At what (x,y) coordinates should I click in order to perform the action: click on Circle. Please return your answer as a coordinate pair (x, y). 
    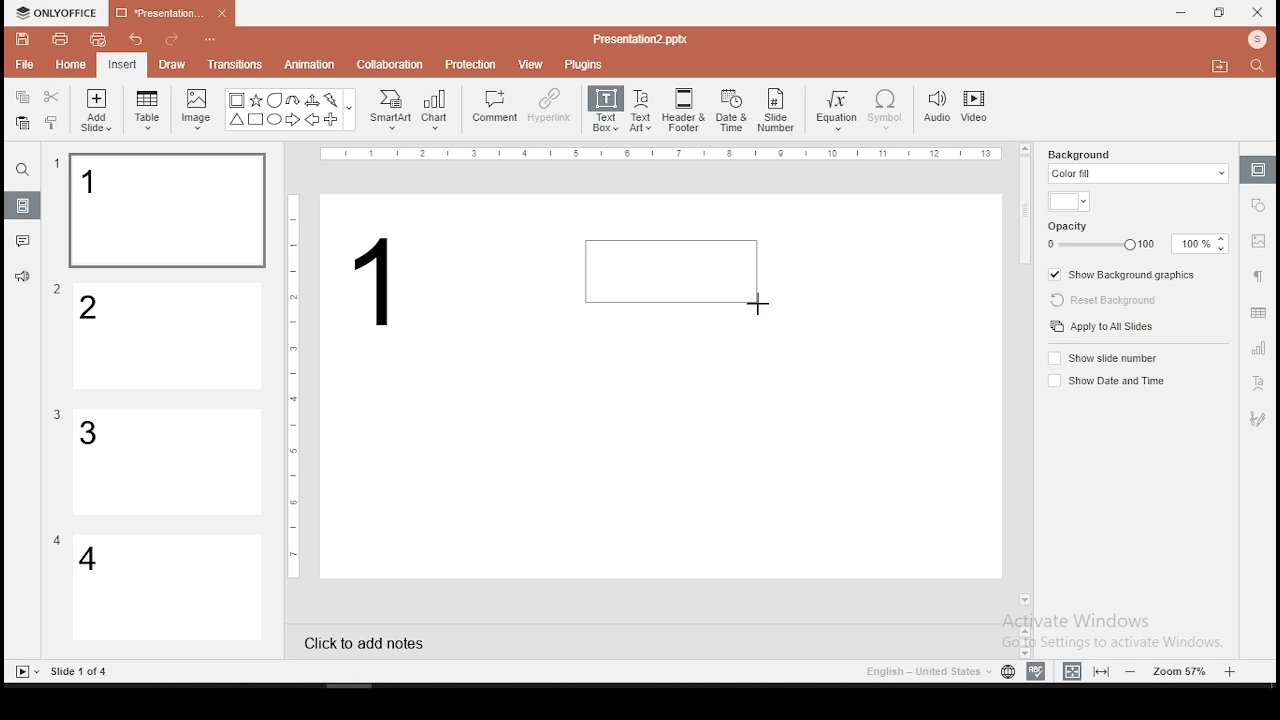
    Looking at the image, I should click on (276, 119).